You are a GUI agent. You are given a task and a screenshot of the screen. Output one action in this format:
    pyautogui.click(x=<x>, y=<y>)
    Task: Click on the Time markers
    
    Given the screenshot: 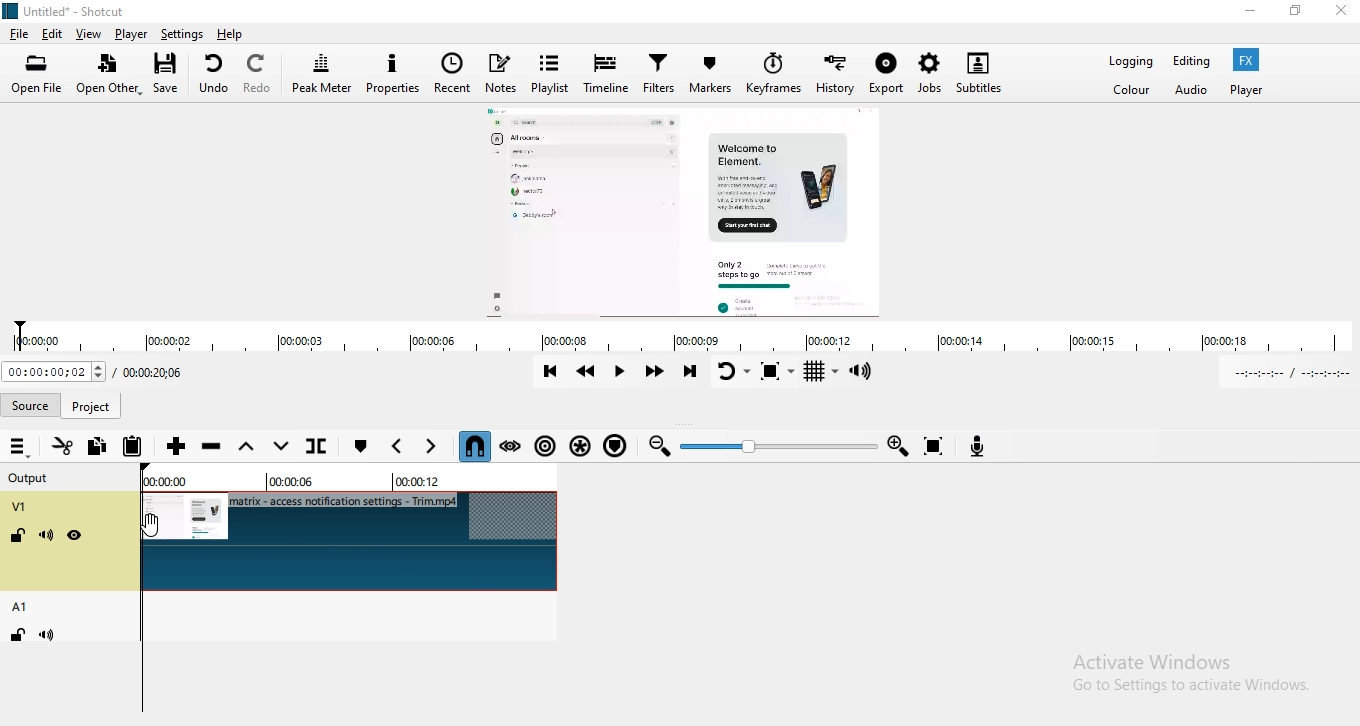 What is the action you would take?
    pyautogui.click(x=351, y=483)
    